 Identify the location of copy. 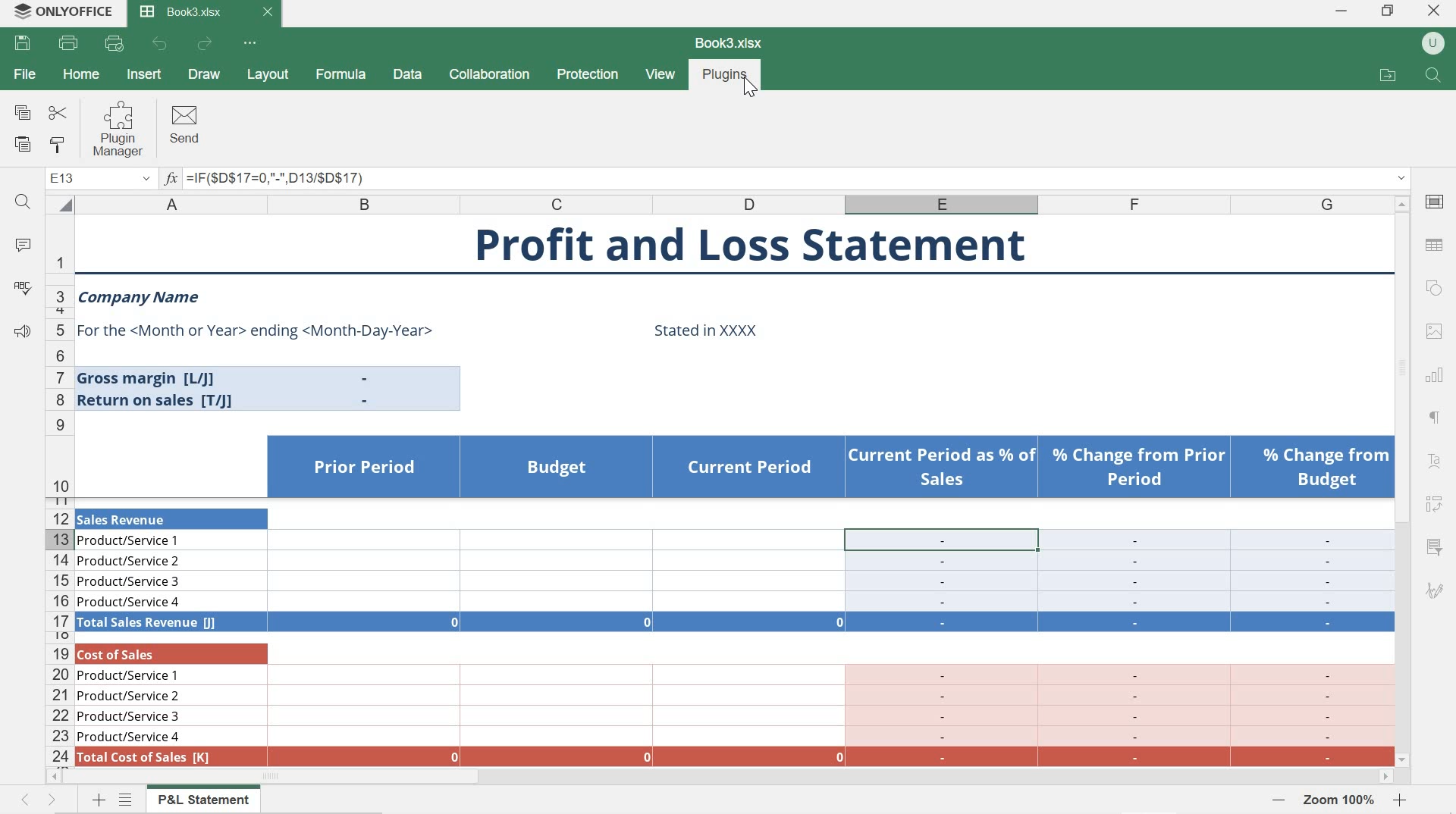
(19, 109).